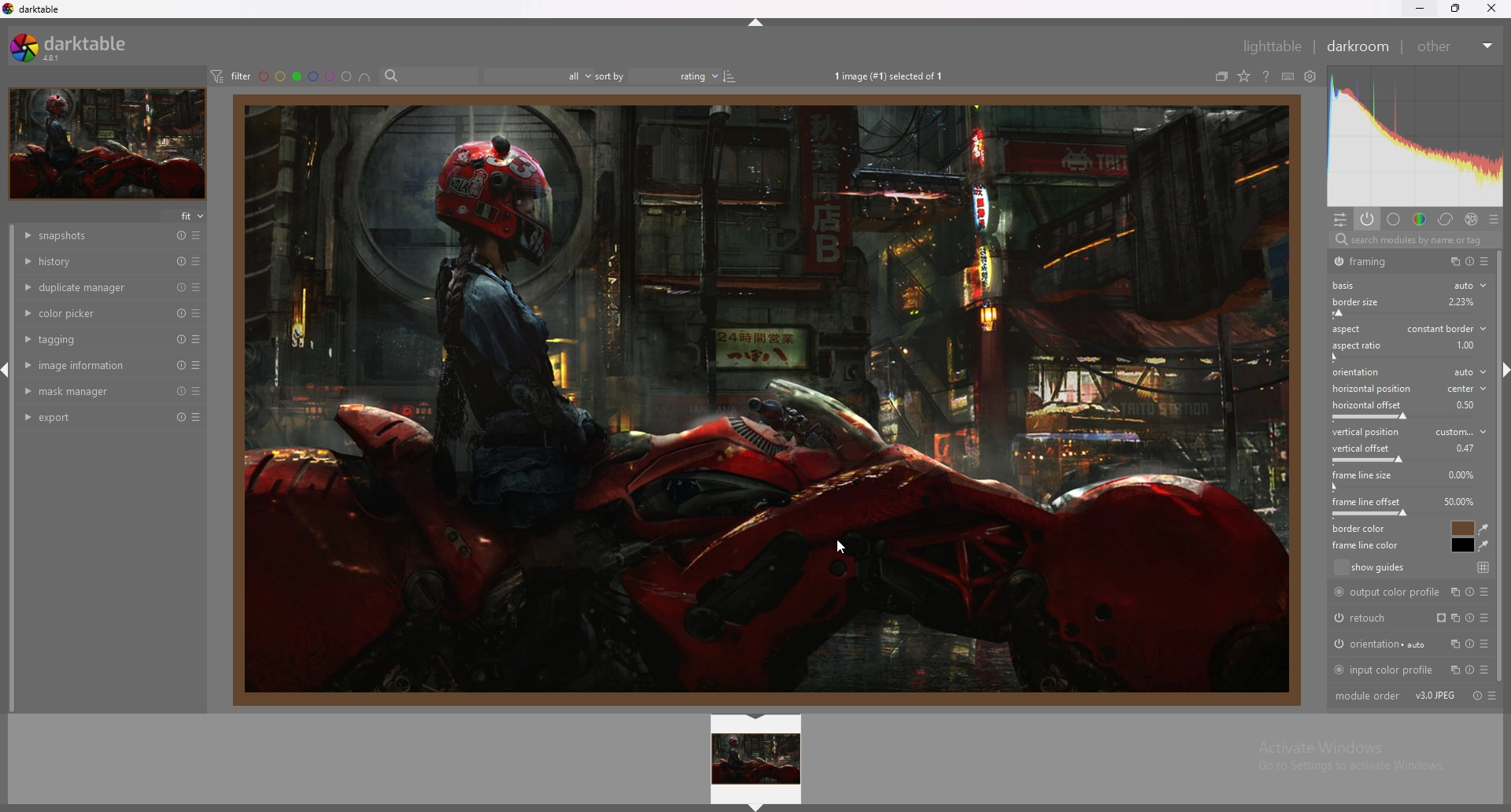  Describe the element at coordinates (1485, 530) in the screenshot. I see `waterdrop` at that location.